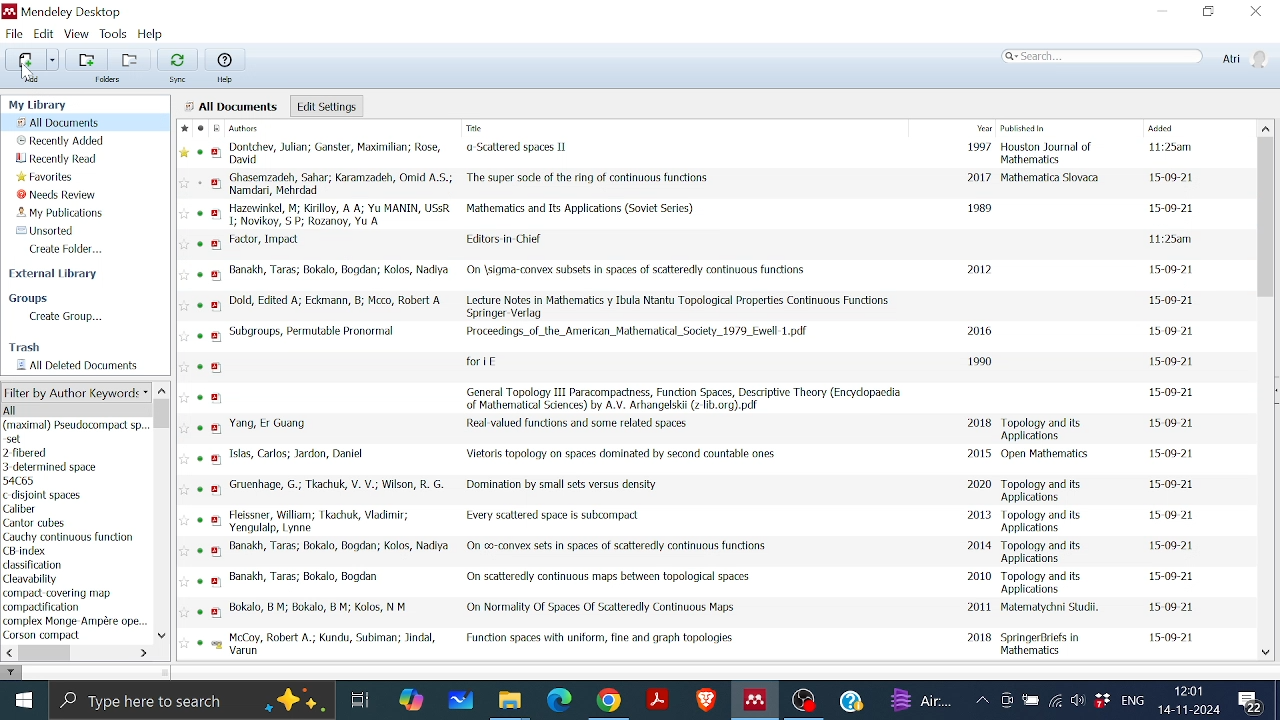 The width and height of the screenshot is (1280, 720). I want to click on Favourite, so click(184, 610).